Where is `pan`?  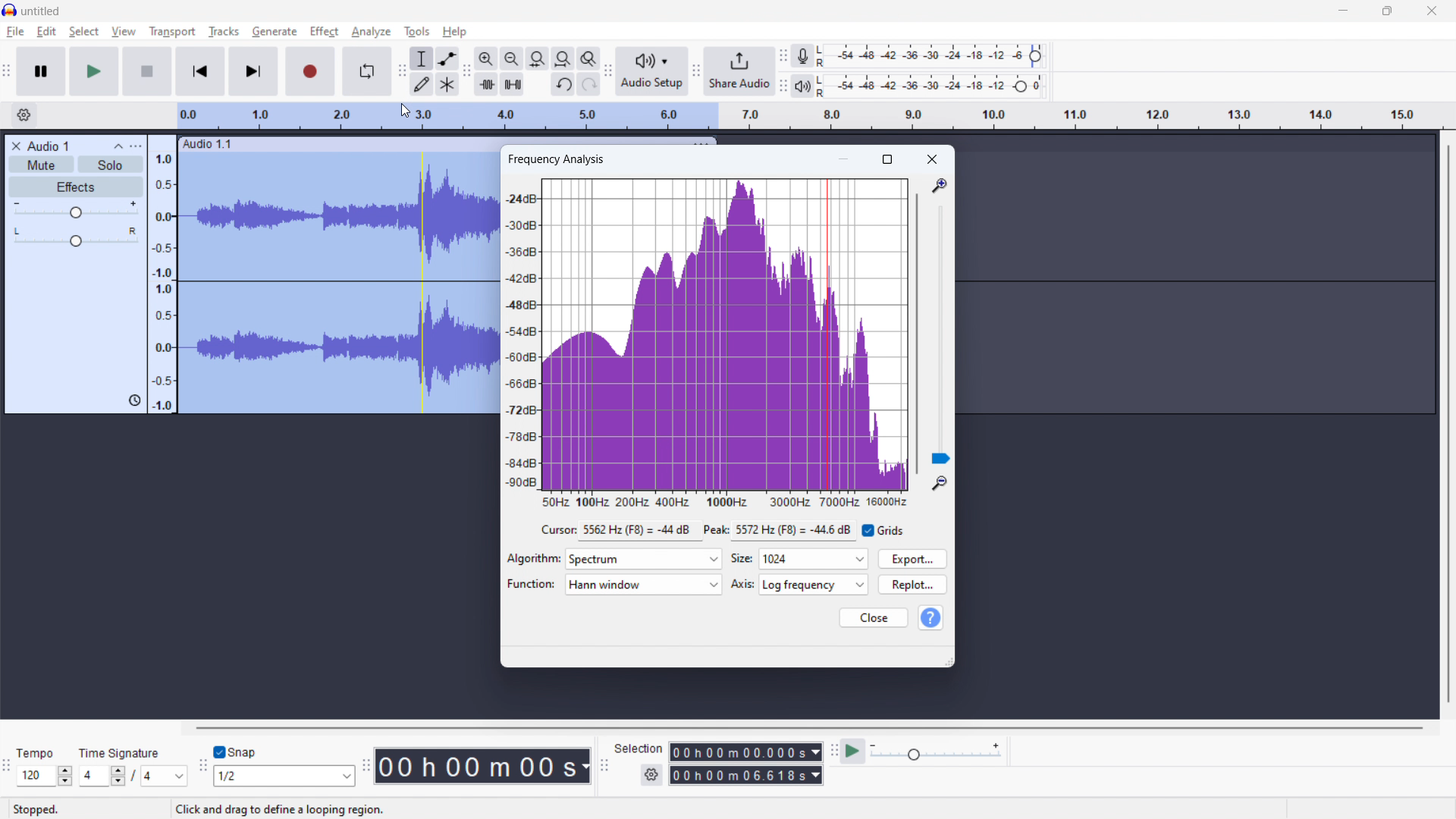 pan is located at coordinates (75, 237).